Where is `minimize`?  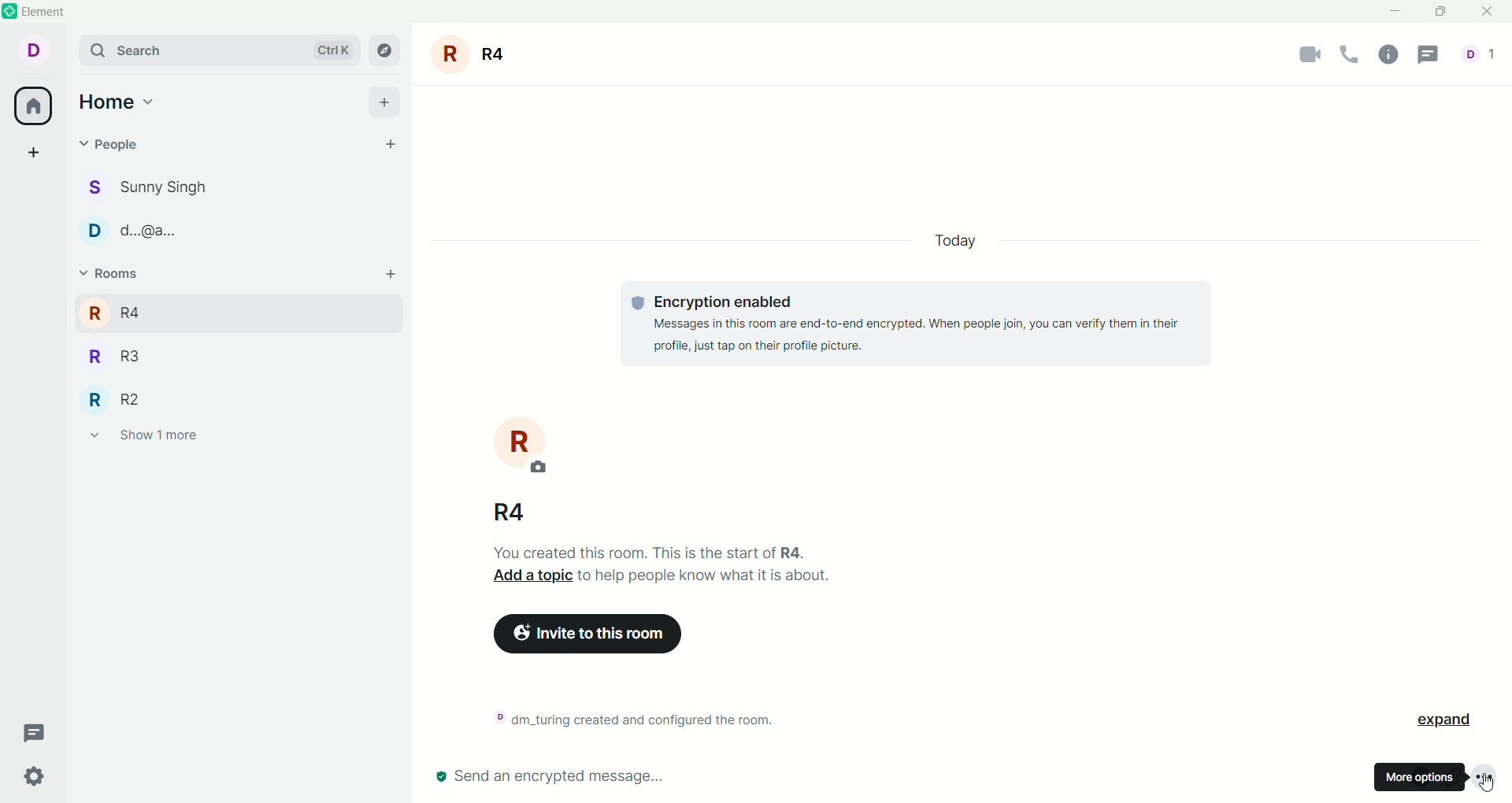 minimize is located at coordinates (1392, 13).